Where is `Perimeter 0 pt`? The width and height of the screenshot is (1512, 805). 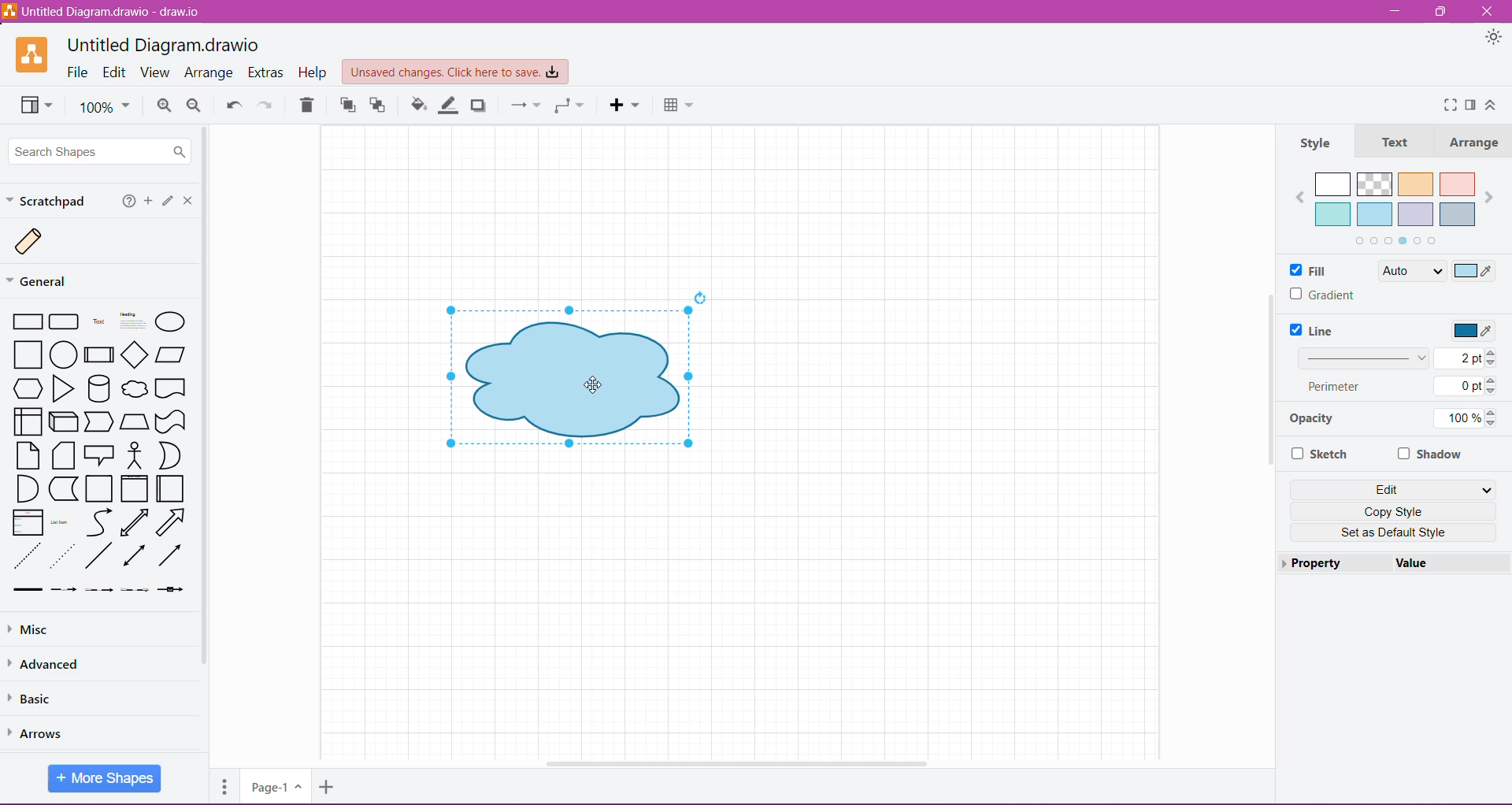 Perimeter 0 pt is located at coordinates (1401, 386).